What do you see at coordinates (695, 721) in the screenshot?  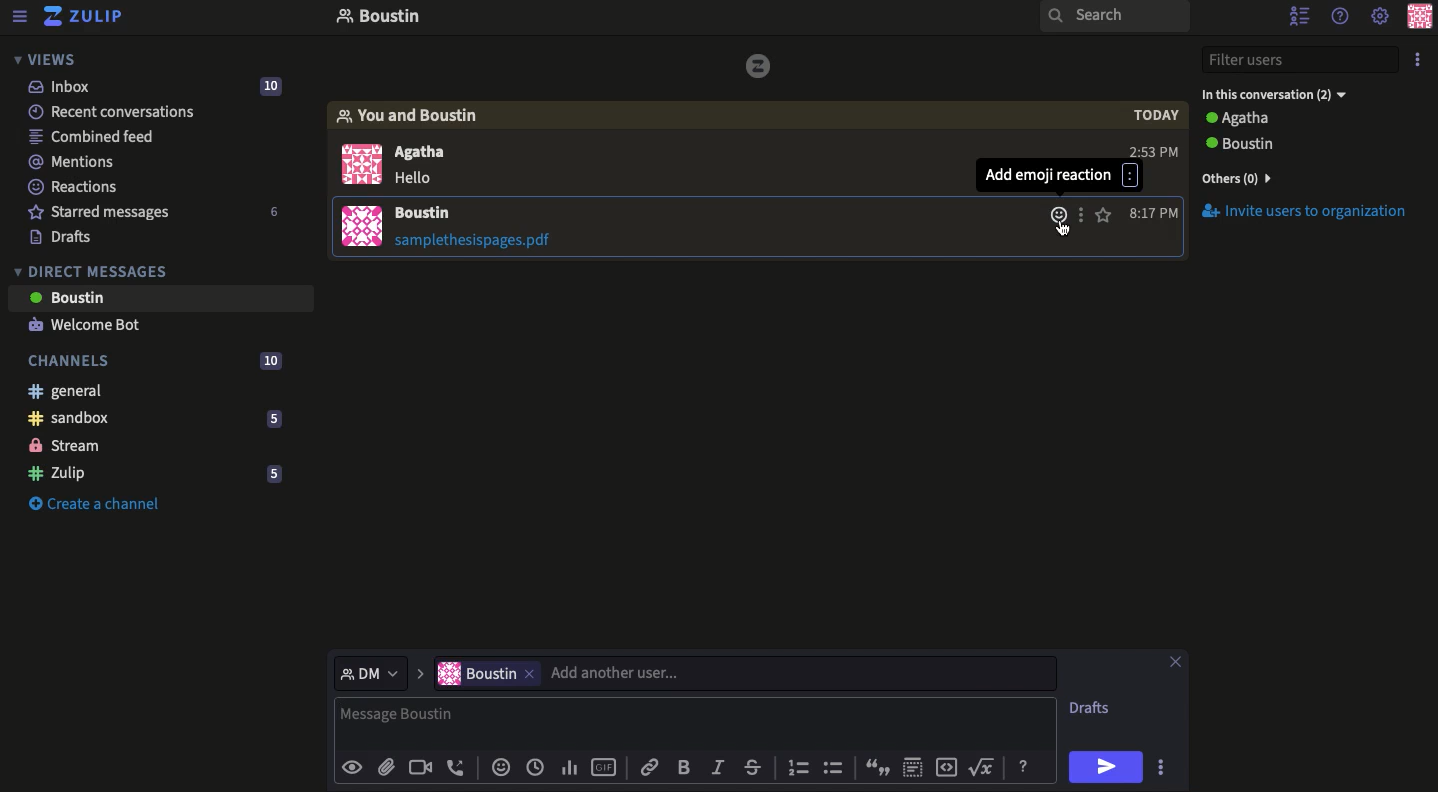 I see `Message` at bounding box center [695, 721].